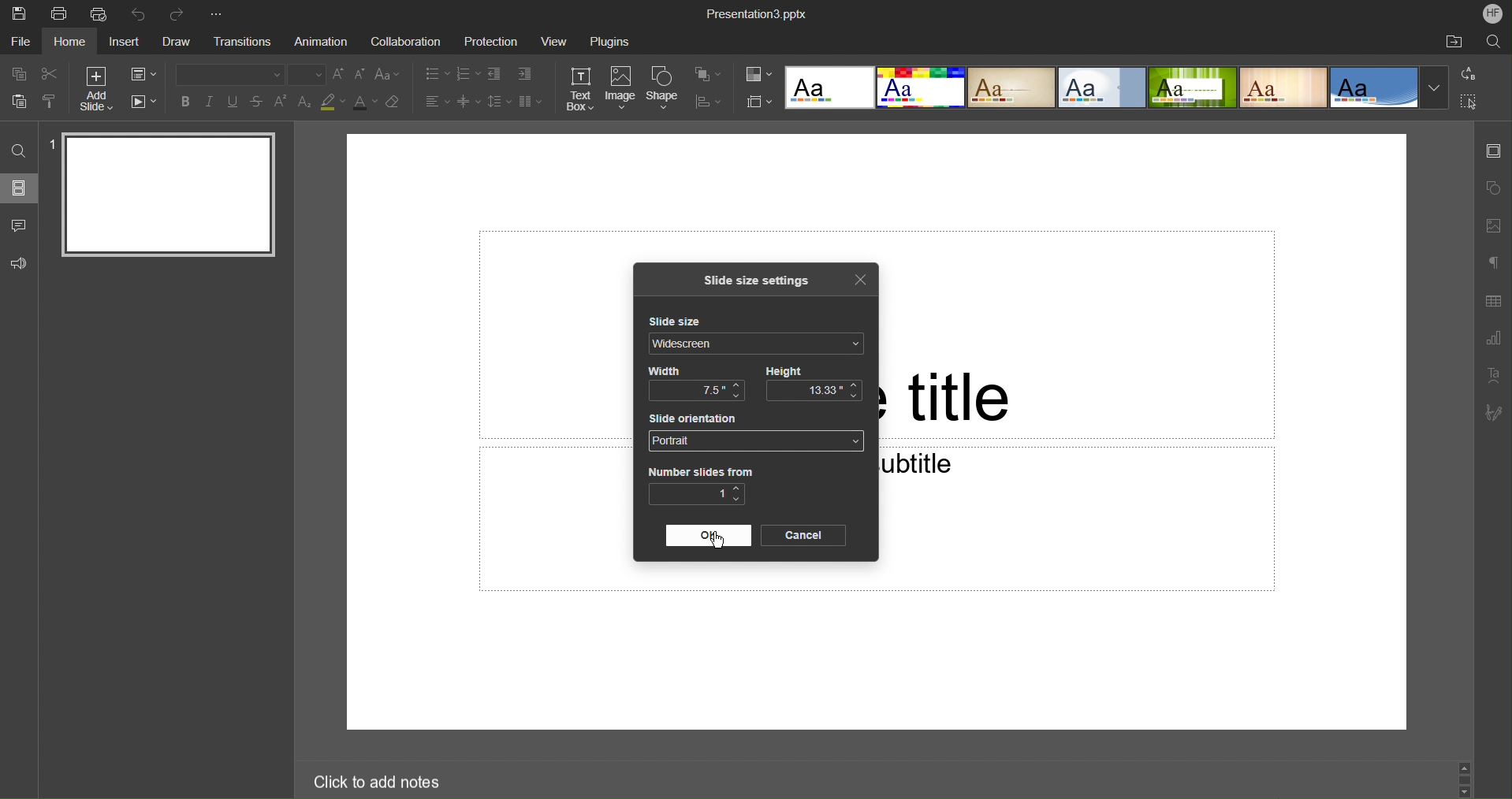  Describe the element at coordinates (493, 43) in the screenshot. I see `Protection` at that location.